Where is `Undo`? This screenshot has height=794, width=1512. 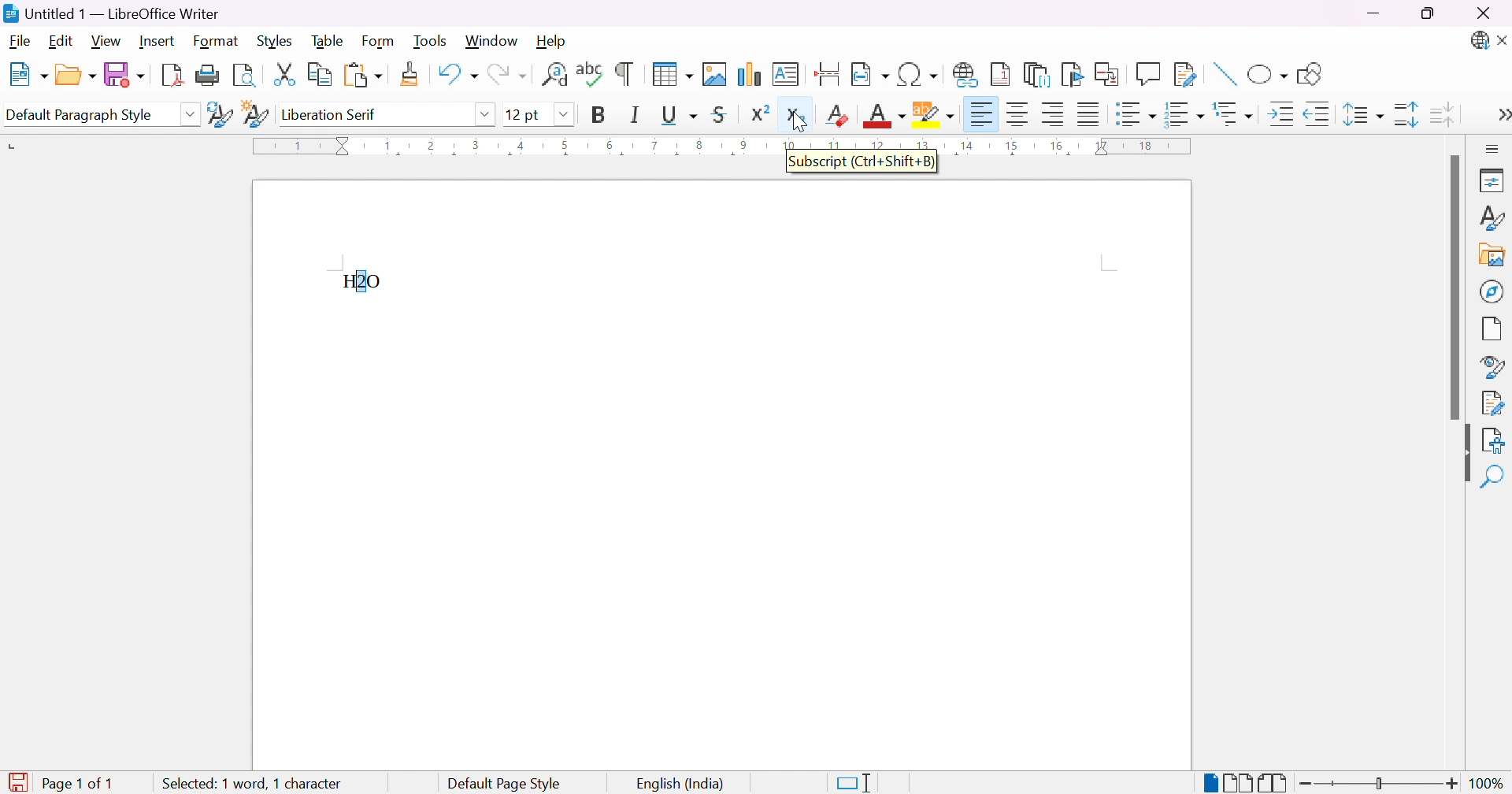
Undo is located at coordinates (456, 78).